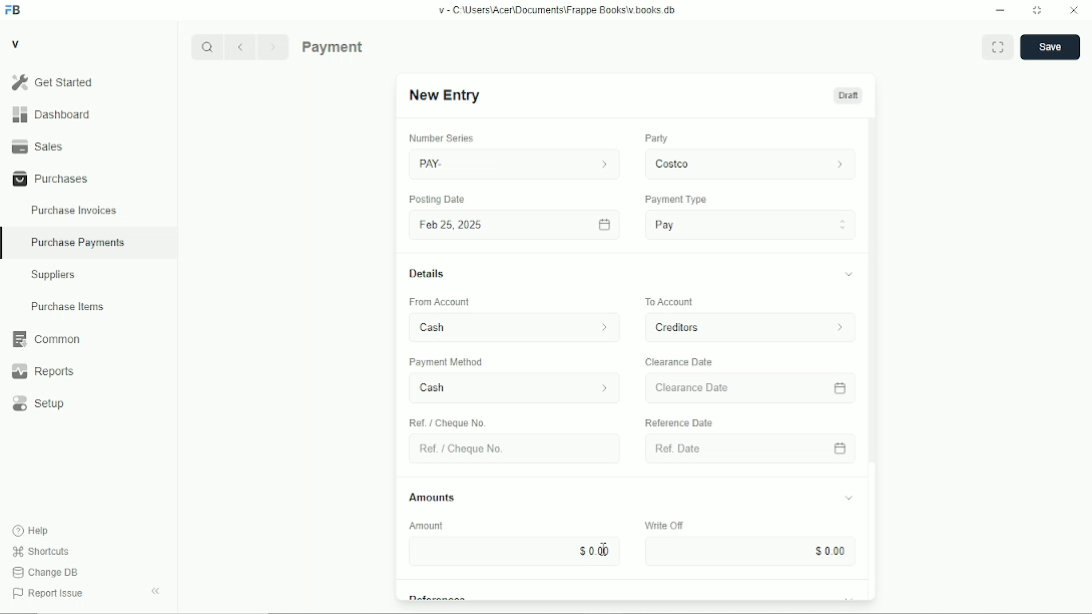 This screenshot has height=614, width=1092. What do you see at coordinates (437, 139) in the screenshot?
I see `number series` at bounding box center [437, 139].